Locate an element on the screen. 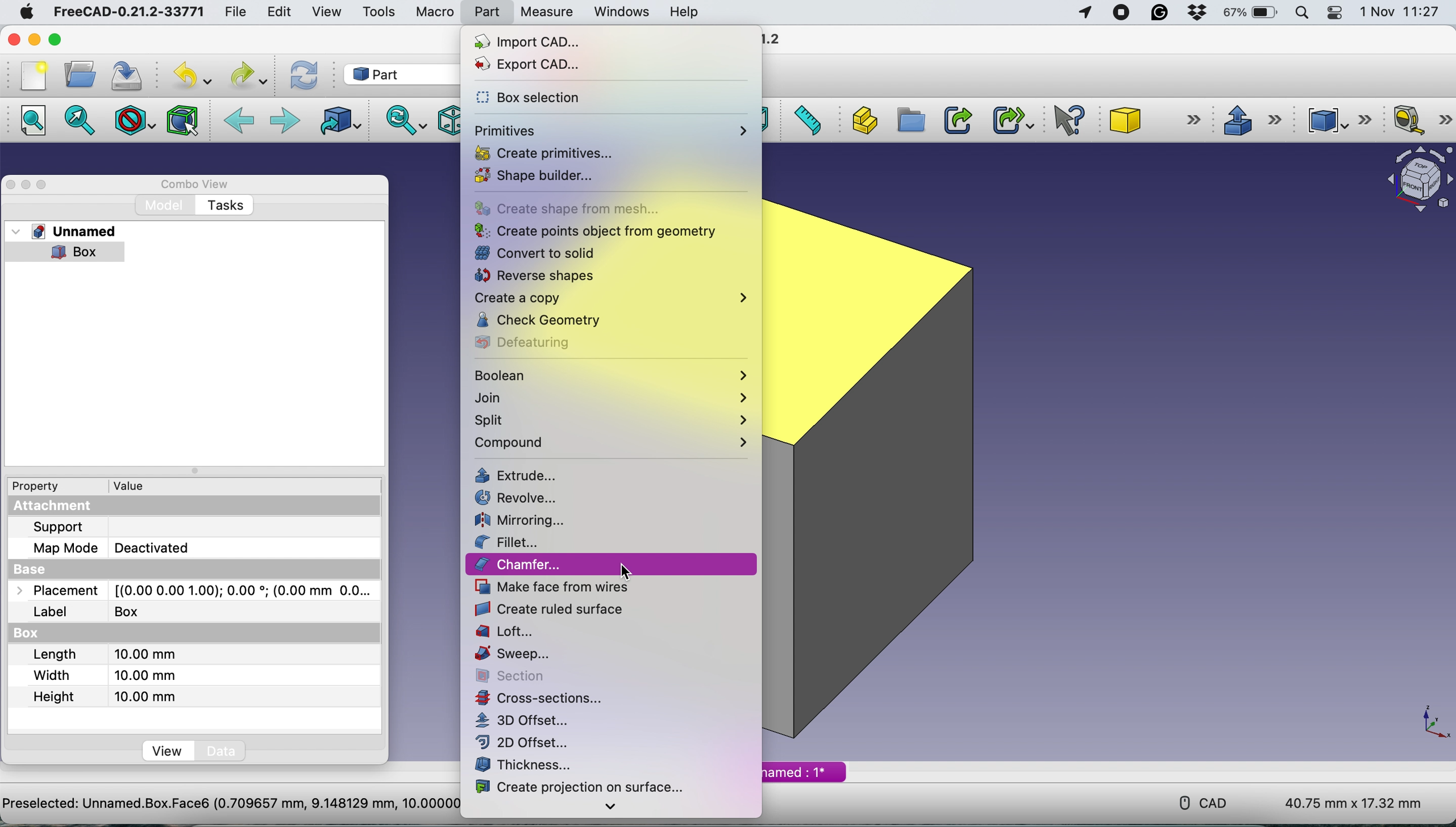 Image resolution: width=1456 pixels, height=827 pixels. section is located at coordinates (514, 676).